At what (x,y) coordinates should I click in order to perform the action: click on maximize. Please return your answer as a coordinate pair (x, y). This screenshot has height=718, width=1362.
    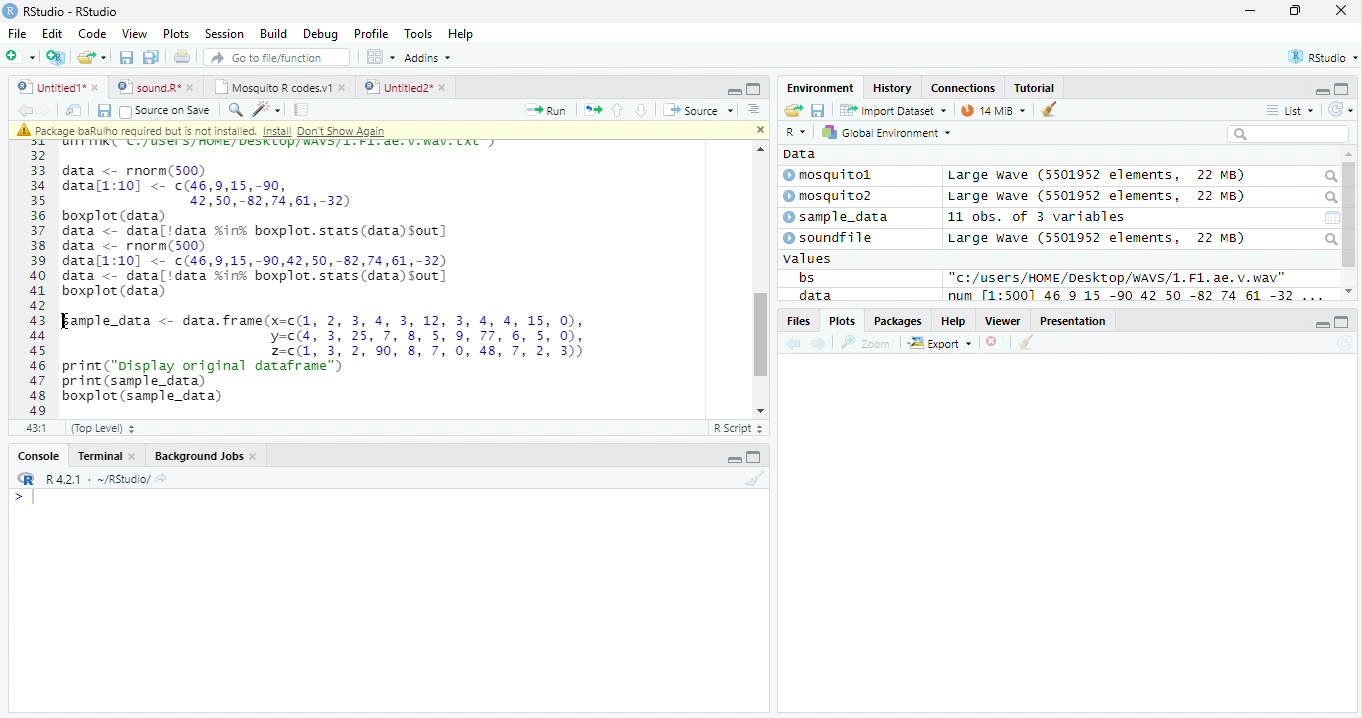
    Looking at the image, I should click on (1294, 10).